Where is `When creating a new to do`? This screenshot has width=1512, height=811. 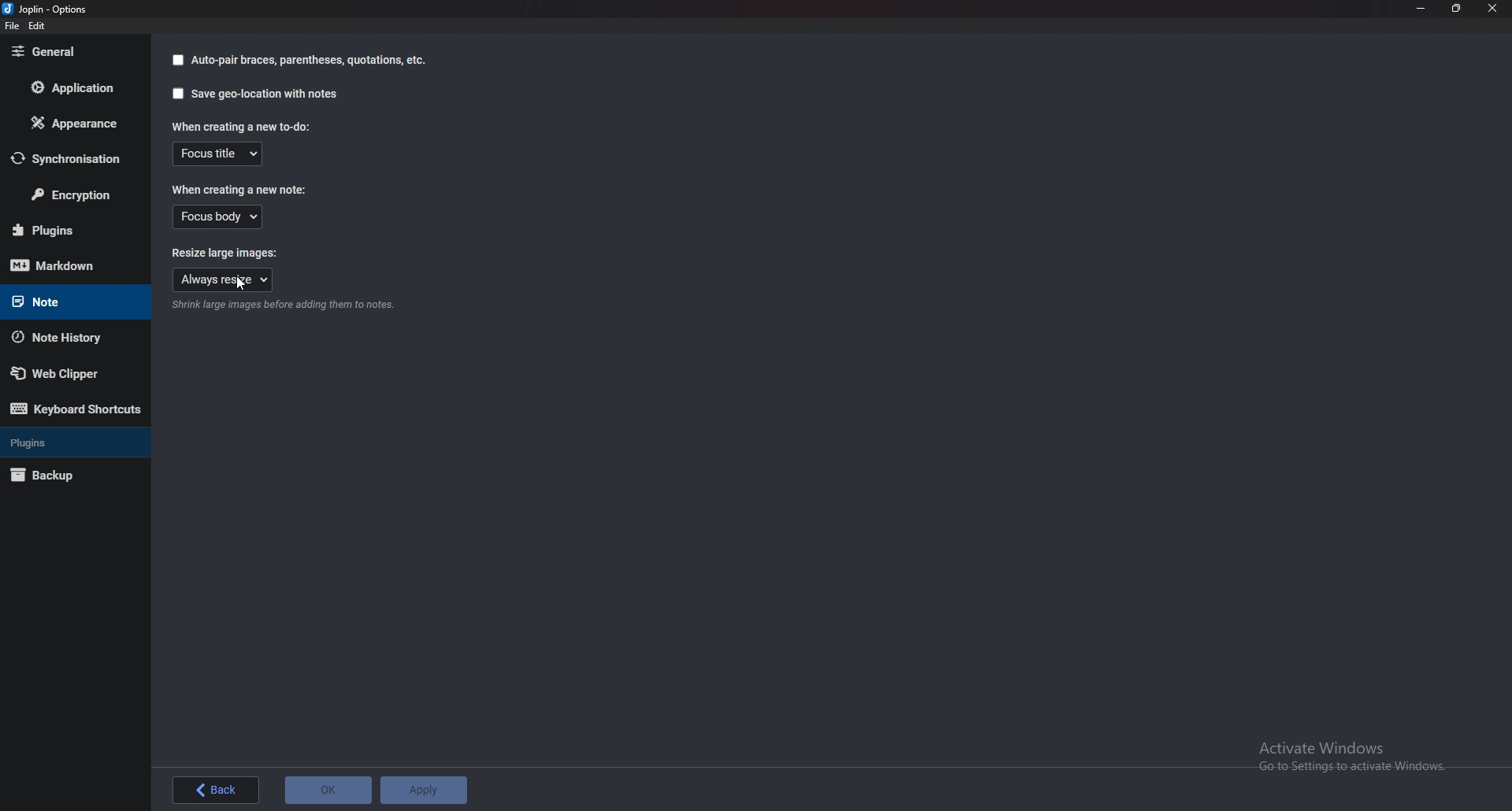 When creating a new to do is located at coordinates (240, 126).